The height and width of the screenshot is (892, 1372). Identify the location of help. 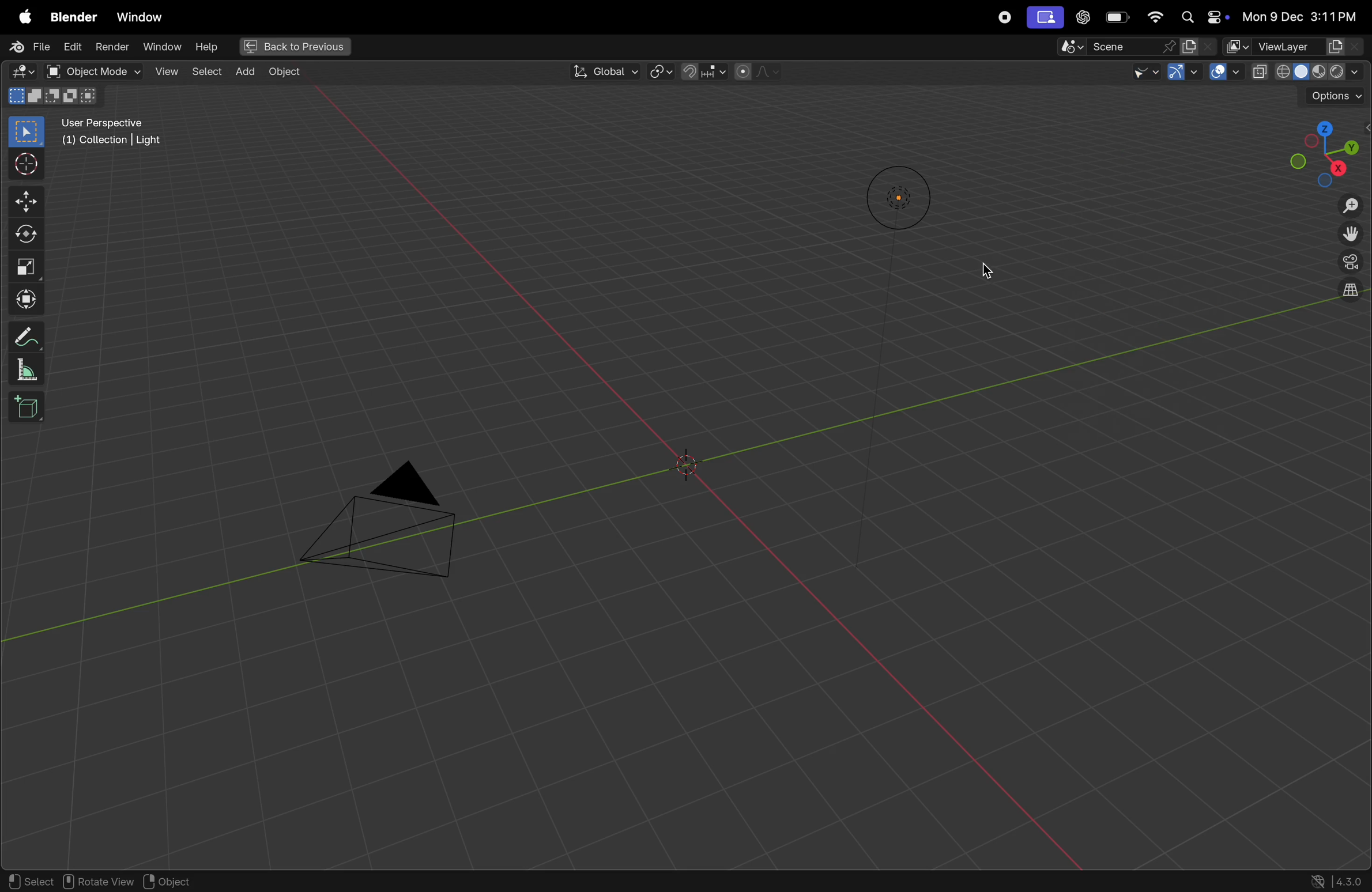
(206, 48).